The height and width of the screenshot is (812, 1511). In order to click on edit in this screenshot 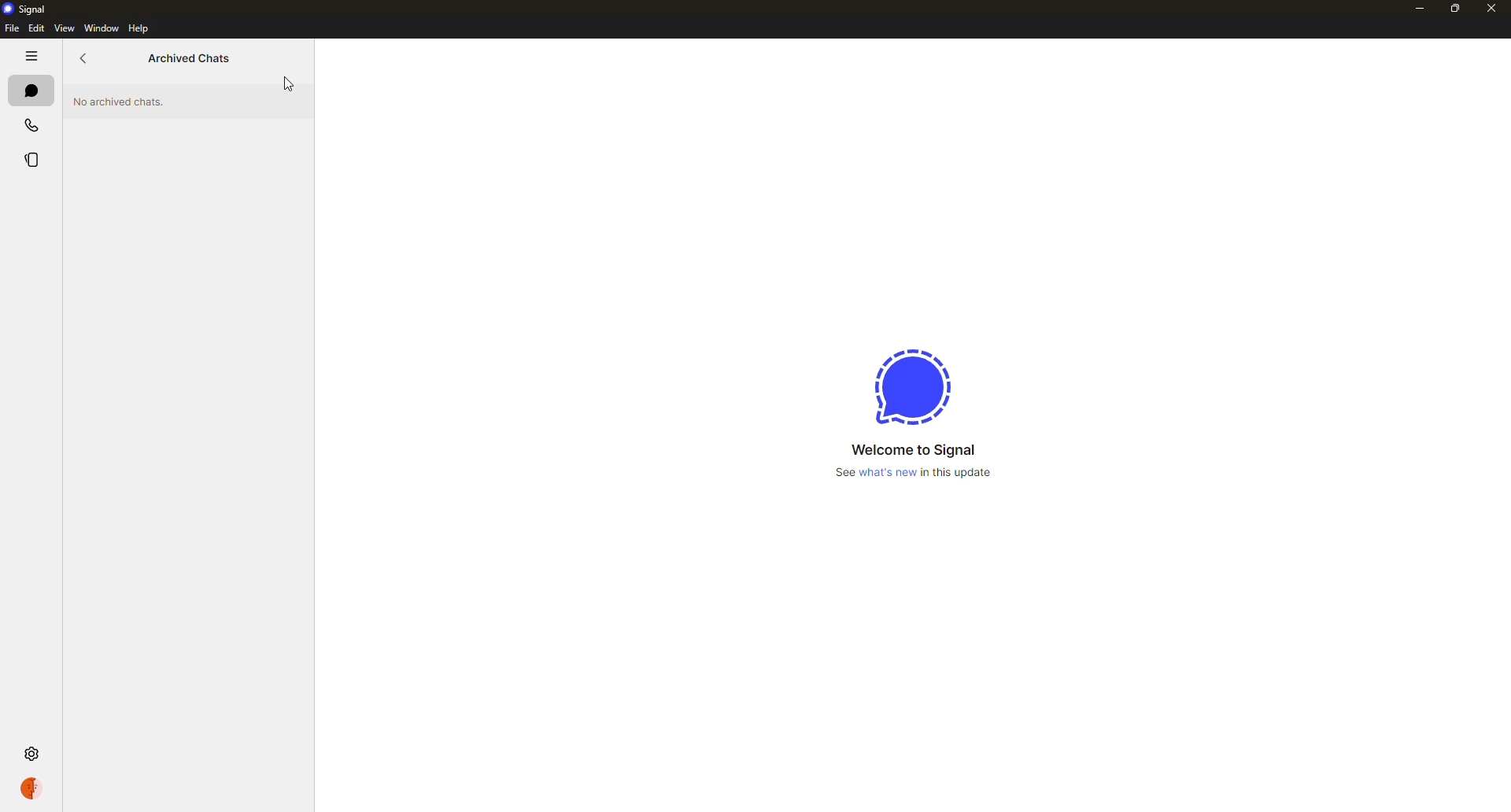, I will do `click(37, 28)`.